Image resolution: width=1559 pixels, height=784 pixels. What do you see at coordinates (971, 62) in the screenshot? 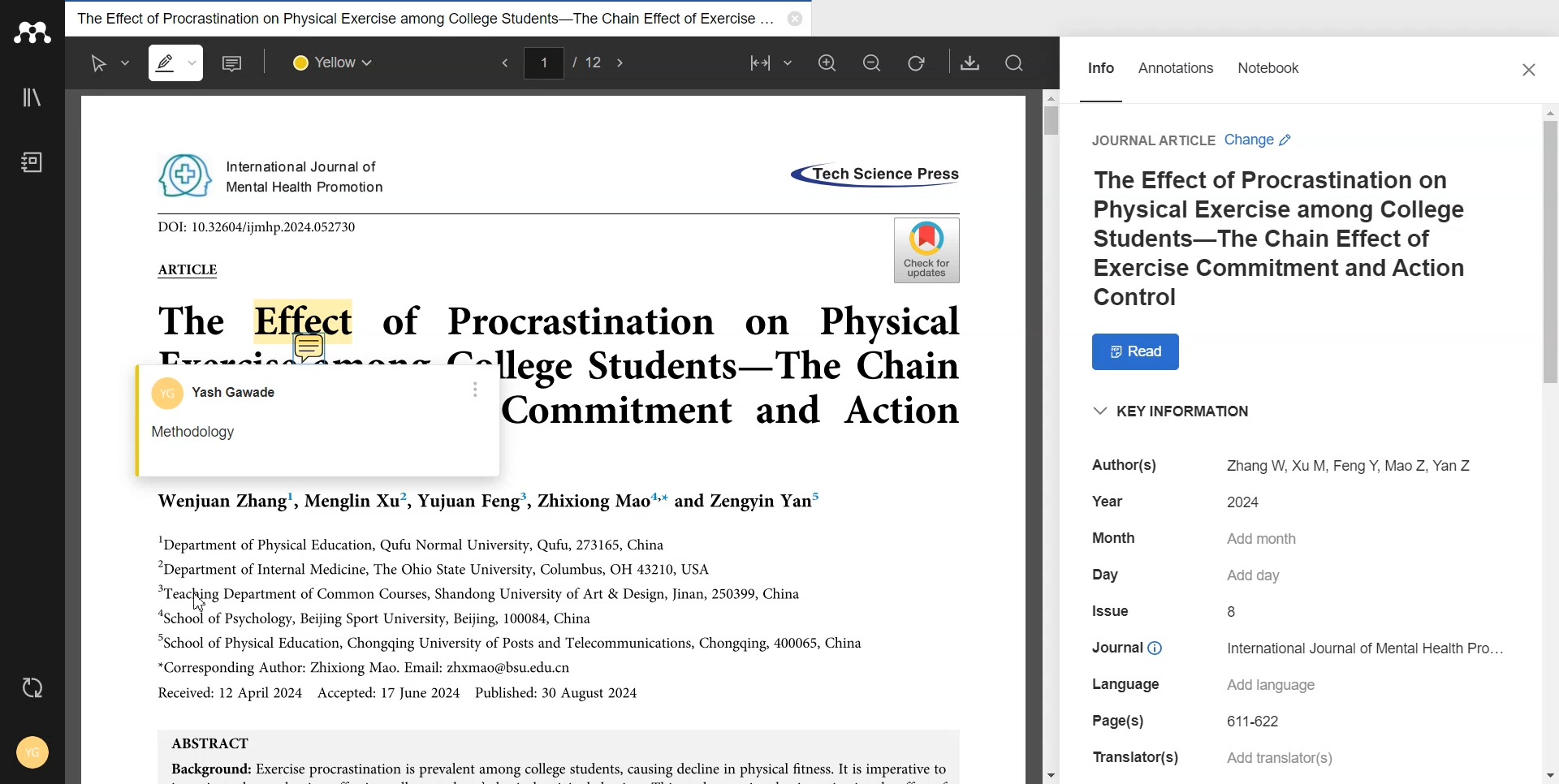
I see `Download` at bounding box center [971, 62].